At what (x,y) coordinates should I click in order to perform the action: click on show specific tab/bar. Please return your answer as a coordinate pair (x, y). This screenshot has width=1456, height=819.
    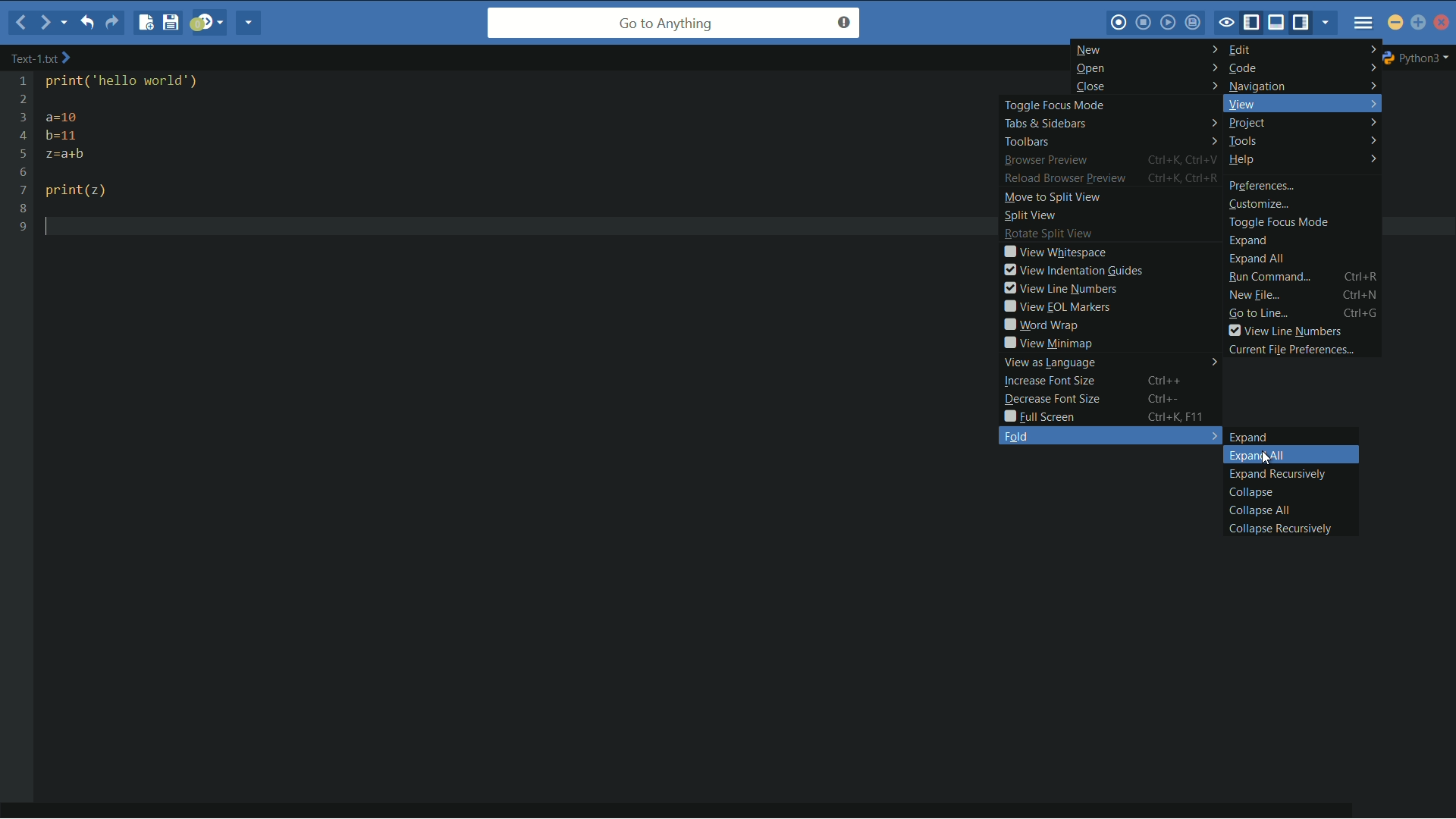
    Looking at the image, I should click on (1327, 24).